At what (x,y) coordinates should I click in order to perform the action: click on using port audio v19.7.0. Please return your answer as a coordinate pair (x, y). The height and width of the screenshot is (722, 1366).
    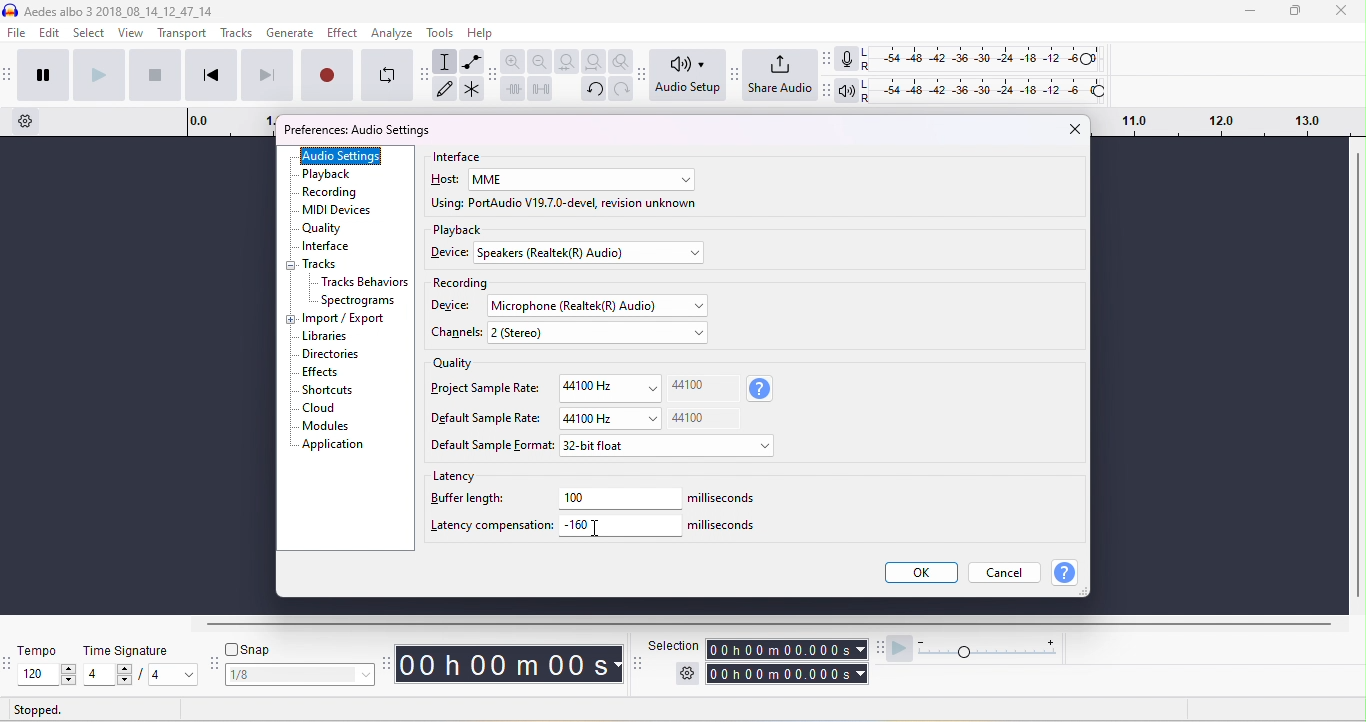
    Looking at the image, I should click on (565, 205).